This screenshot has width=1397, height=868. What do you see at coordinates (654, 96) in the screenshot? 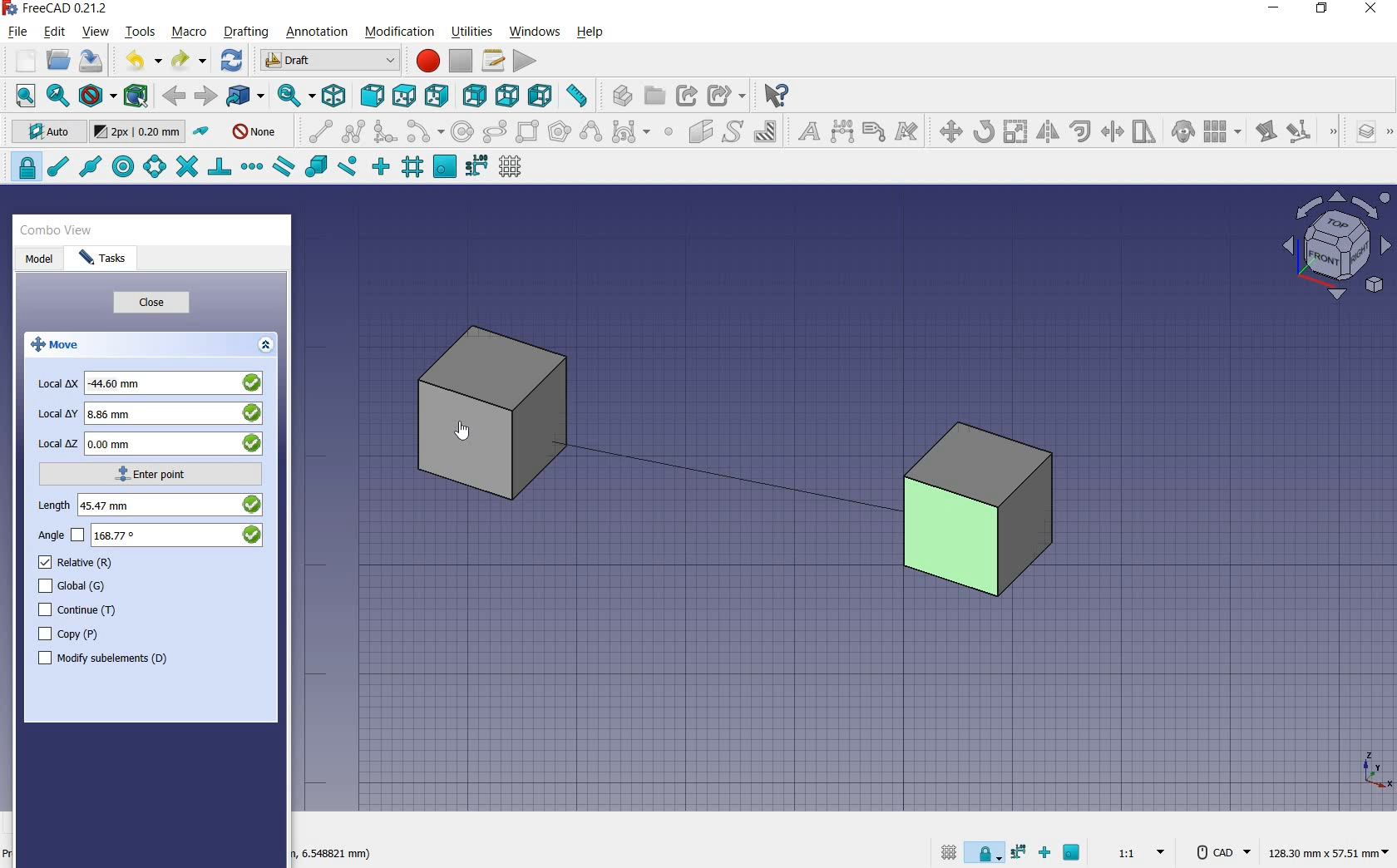
I see `create group` at bounding box center [654, 96].